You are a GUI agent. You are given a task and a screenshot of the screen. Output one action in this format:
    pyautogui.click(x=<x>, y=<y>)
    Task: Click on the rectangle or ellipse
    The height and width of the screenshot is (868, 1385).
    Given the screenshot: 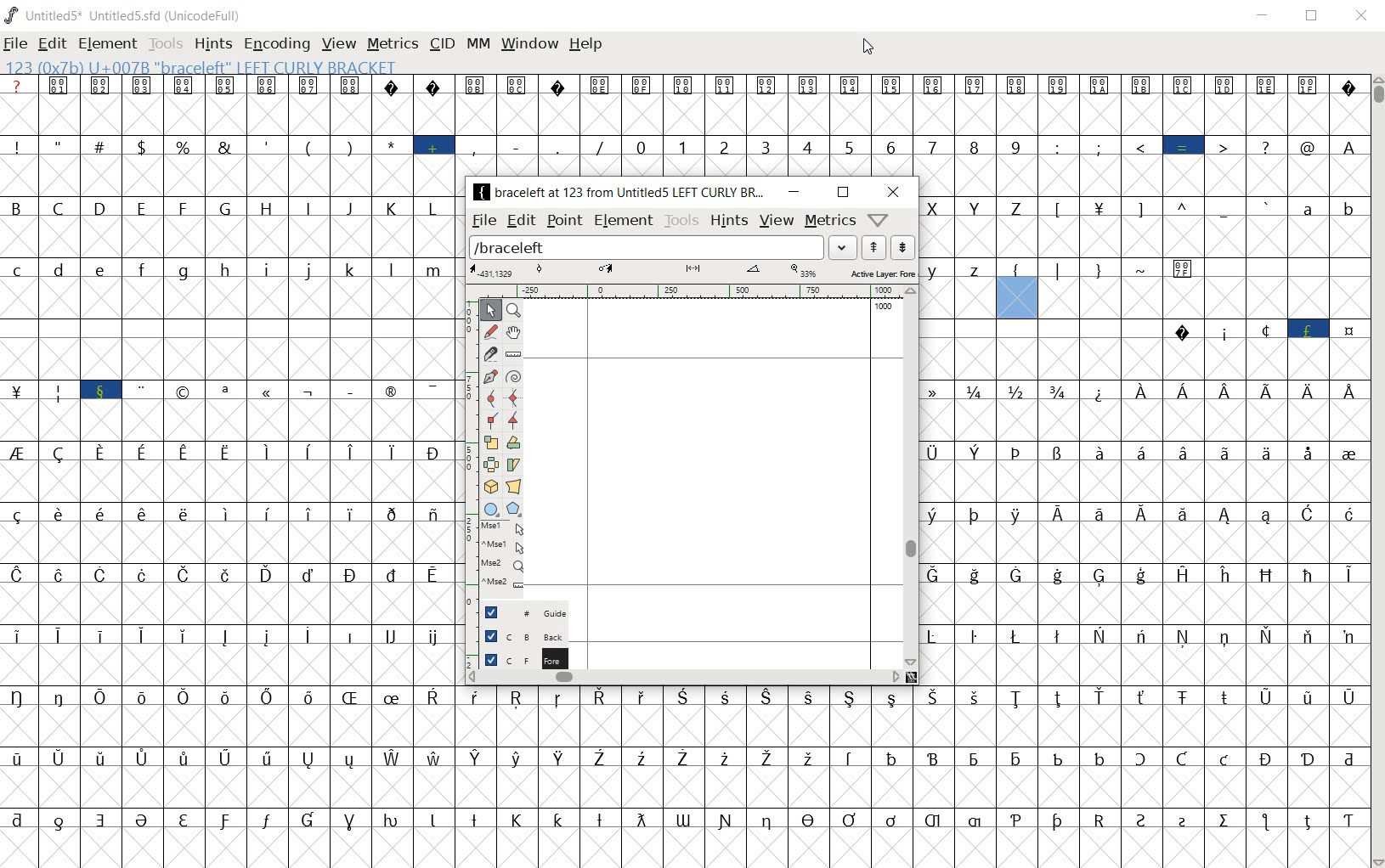 What is the action you would take?
    pyautogui.click(x=489, y=510)
    